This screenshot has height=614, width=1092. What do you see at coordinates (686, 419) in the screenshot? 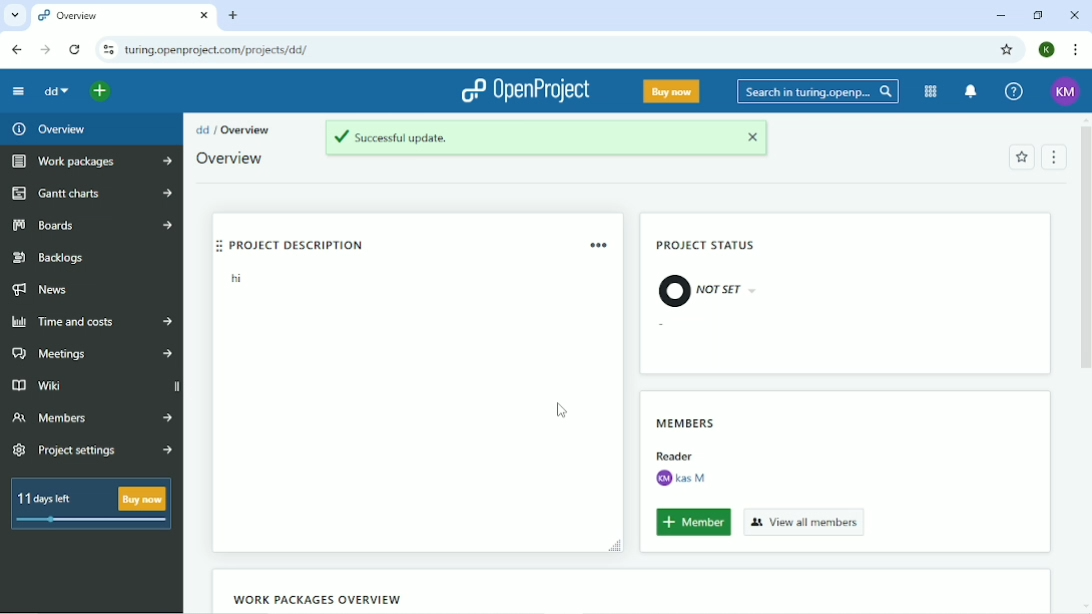
I see `Members` at bounding box center [686, 419].